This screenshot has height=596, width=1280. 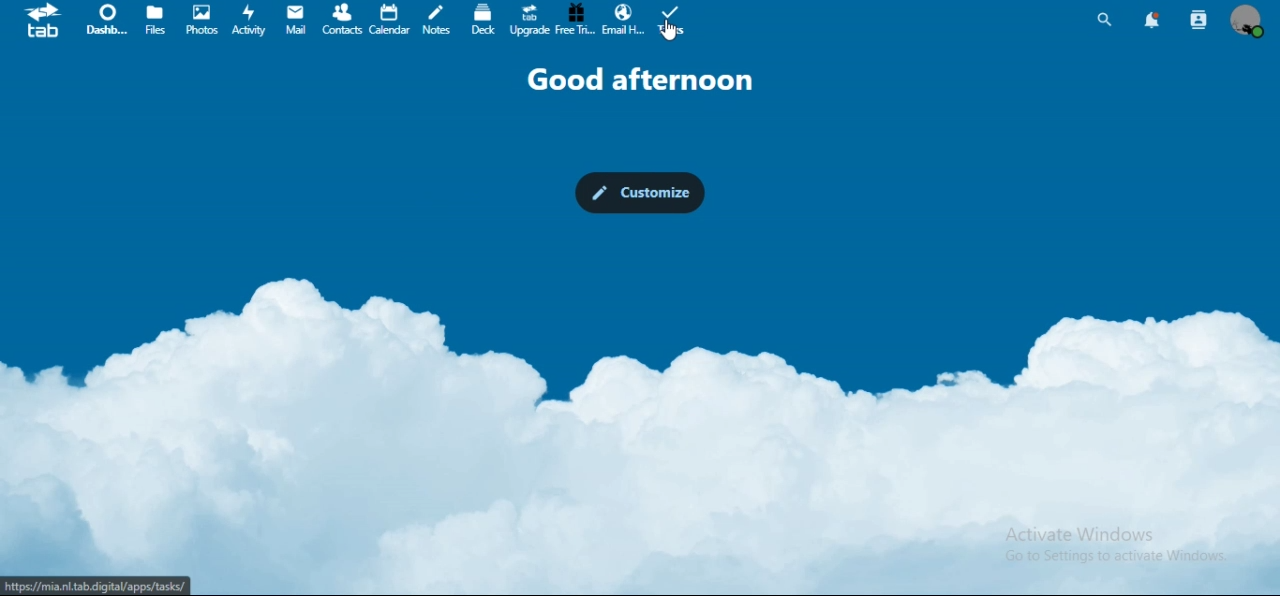 I want to click on deck, so click(x=482, y=20).